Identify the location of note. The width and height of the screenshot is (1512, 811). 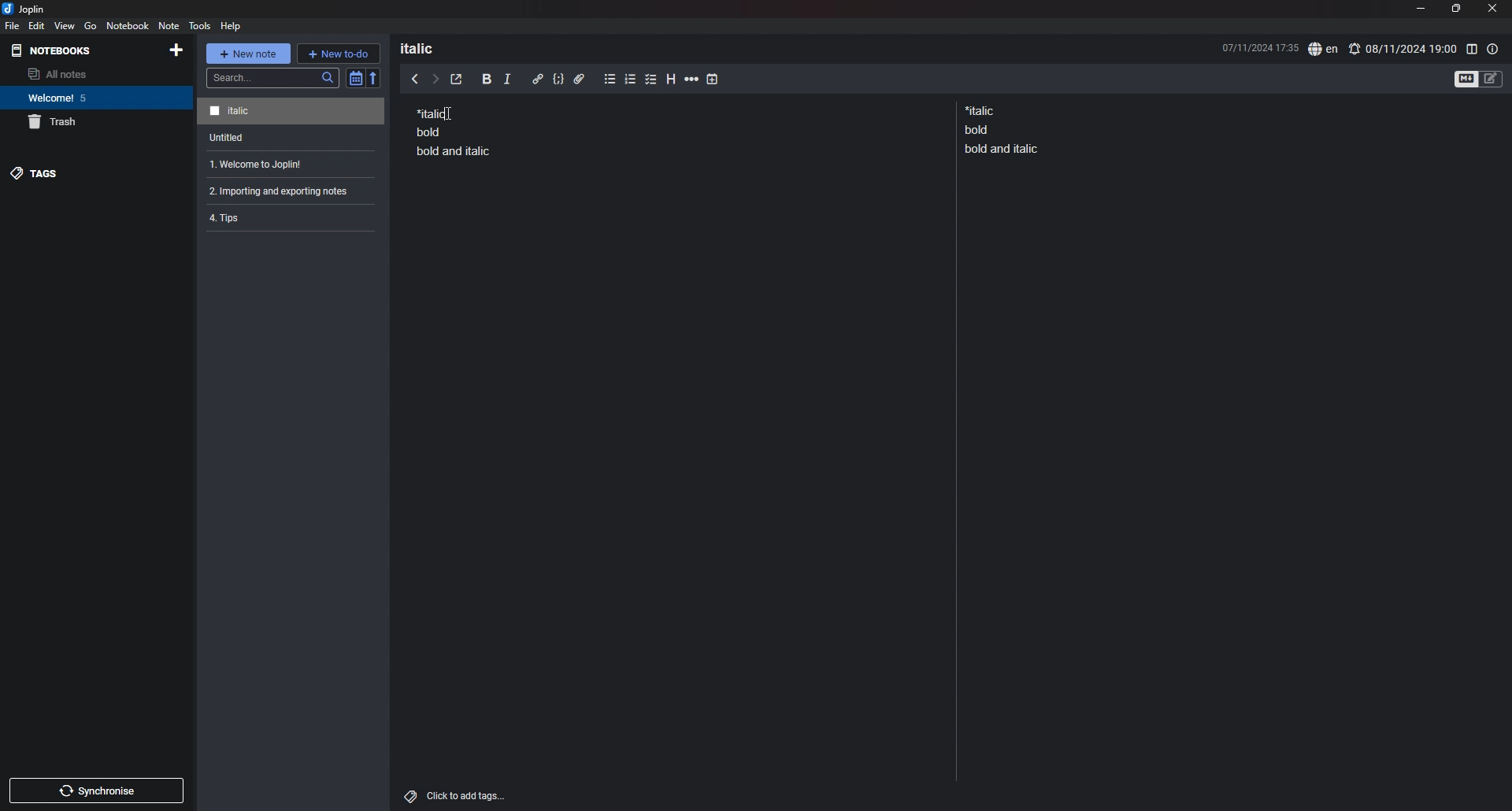
(293, 138).